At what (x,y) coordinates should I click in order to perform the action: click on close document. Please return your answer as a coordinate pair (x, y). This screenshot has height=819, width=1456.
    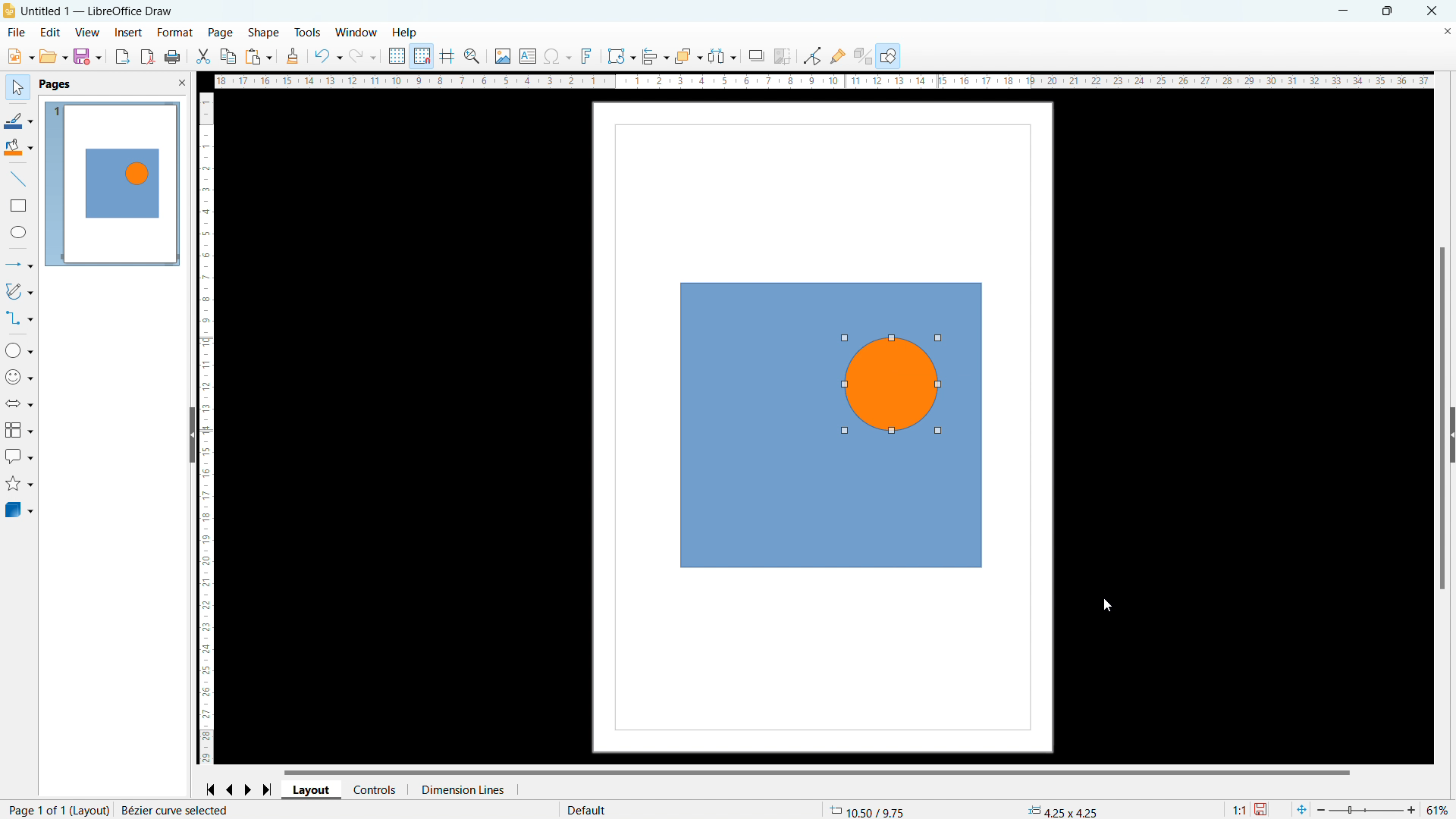
    Looking at the image, I should click on (1446, 30).